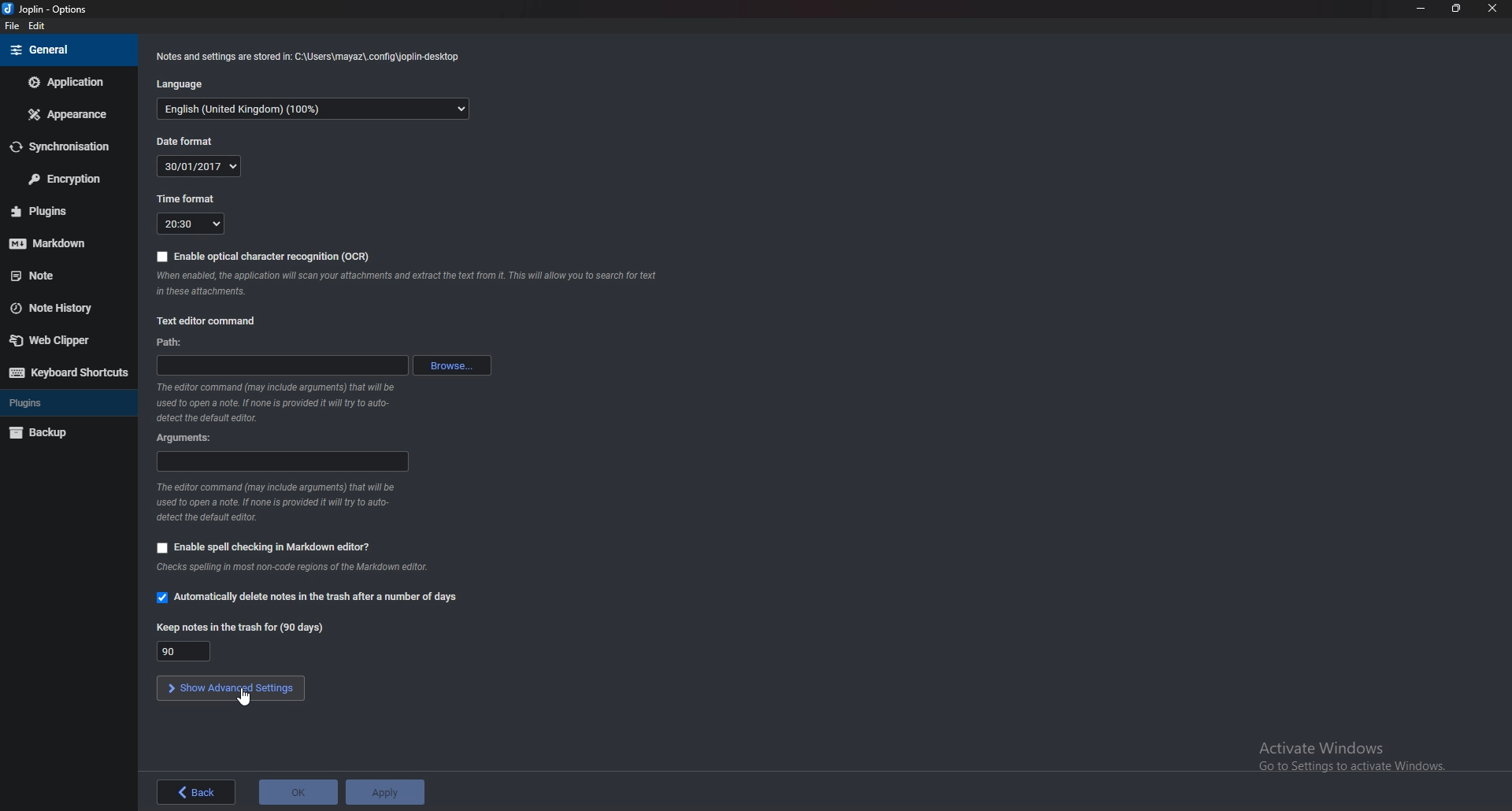 Image resolution: width=1512 pixels, height=811 pixels. What do you see at coordinates (197, 792) in the screenshot?
I see `Back` at bounding box center [197, 792].